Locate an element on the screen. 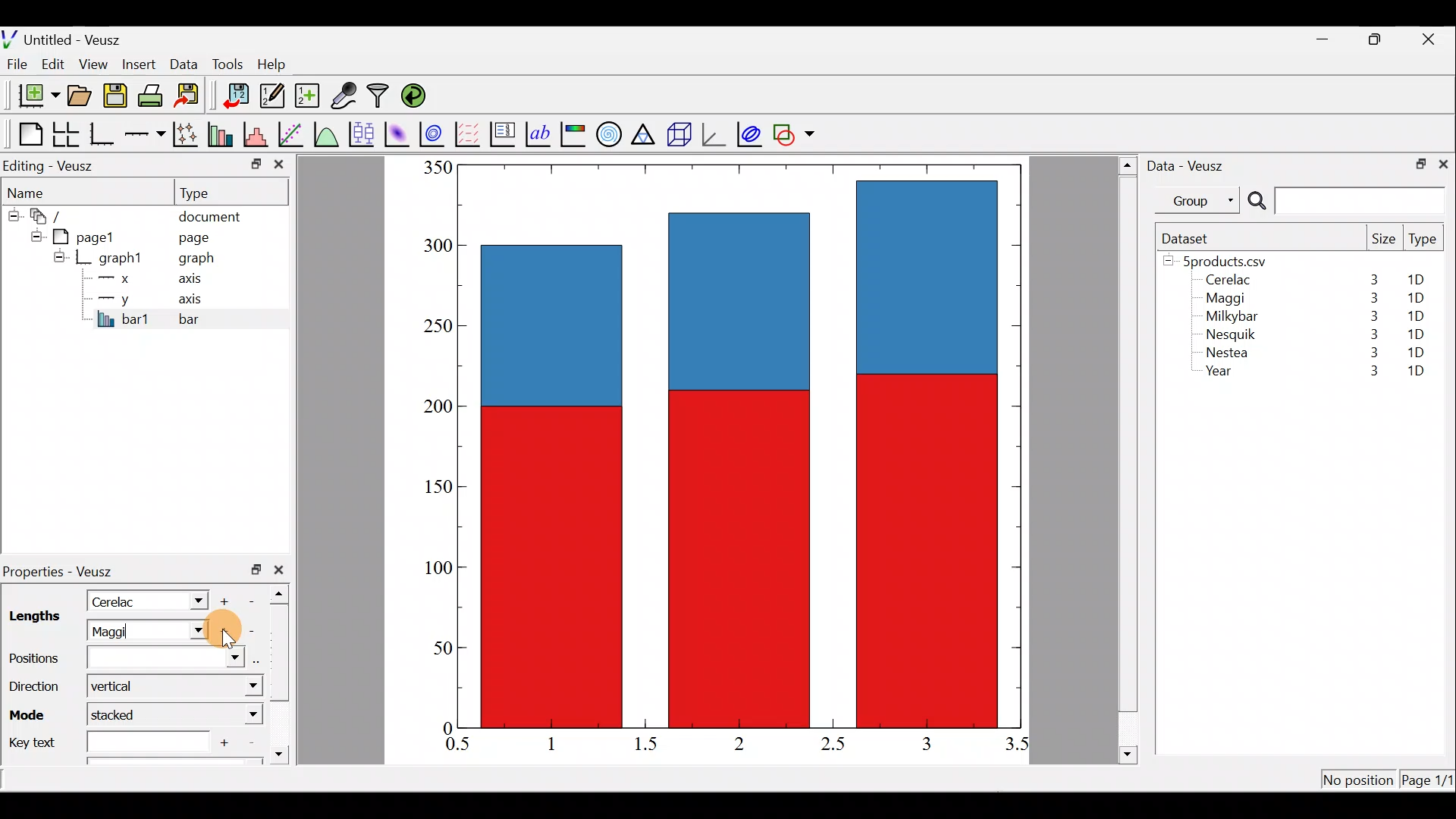 The height and width of the screenshot is (819, 1456). Plot key is located at coordinates (504, 133).